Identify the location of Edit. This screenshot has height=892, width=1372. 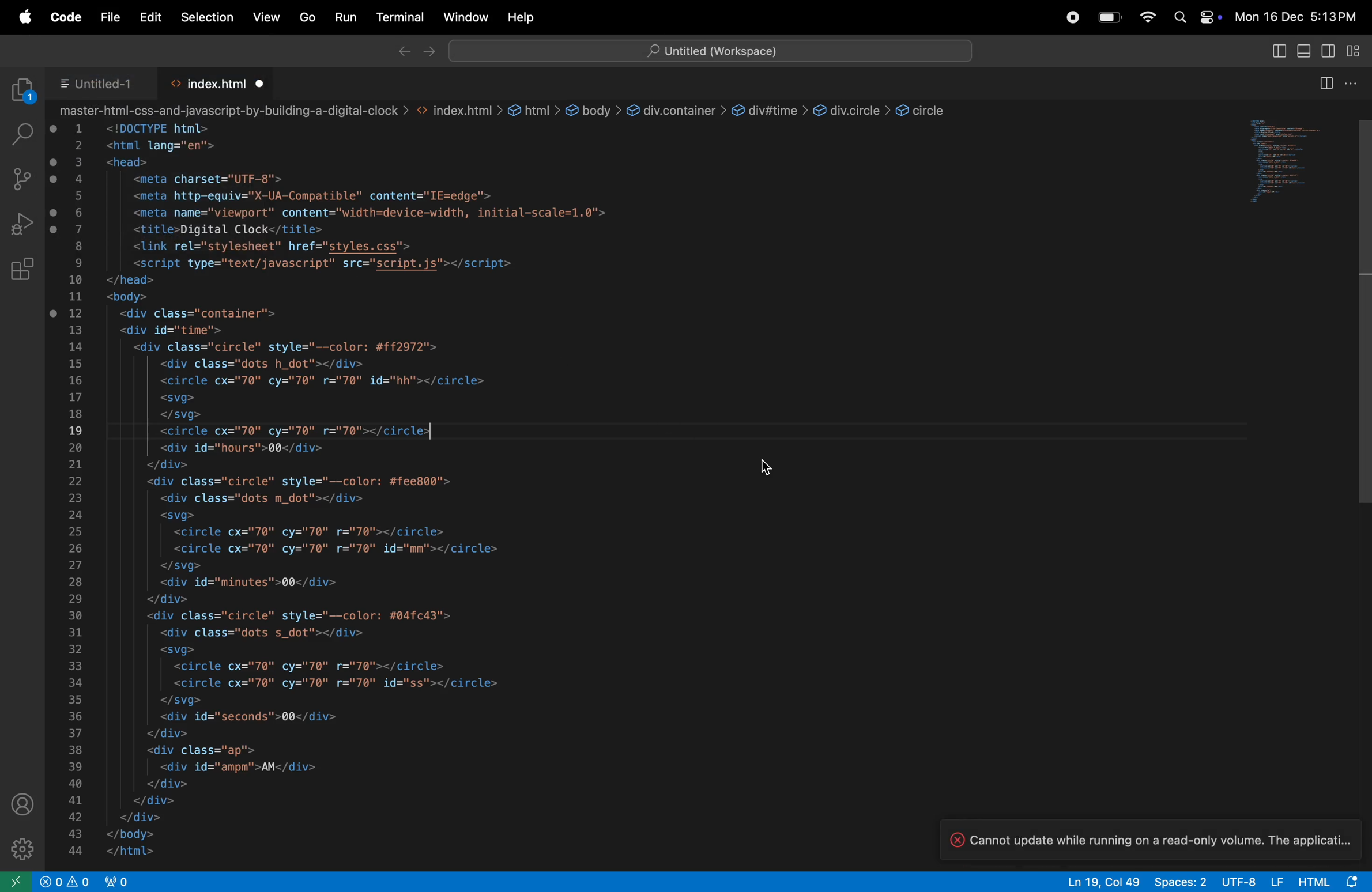
(152, 18).